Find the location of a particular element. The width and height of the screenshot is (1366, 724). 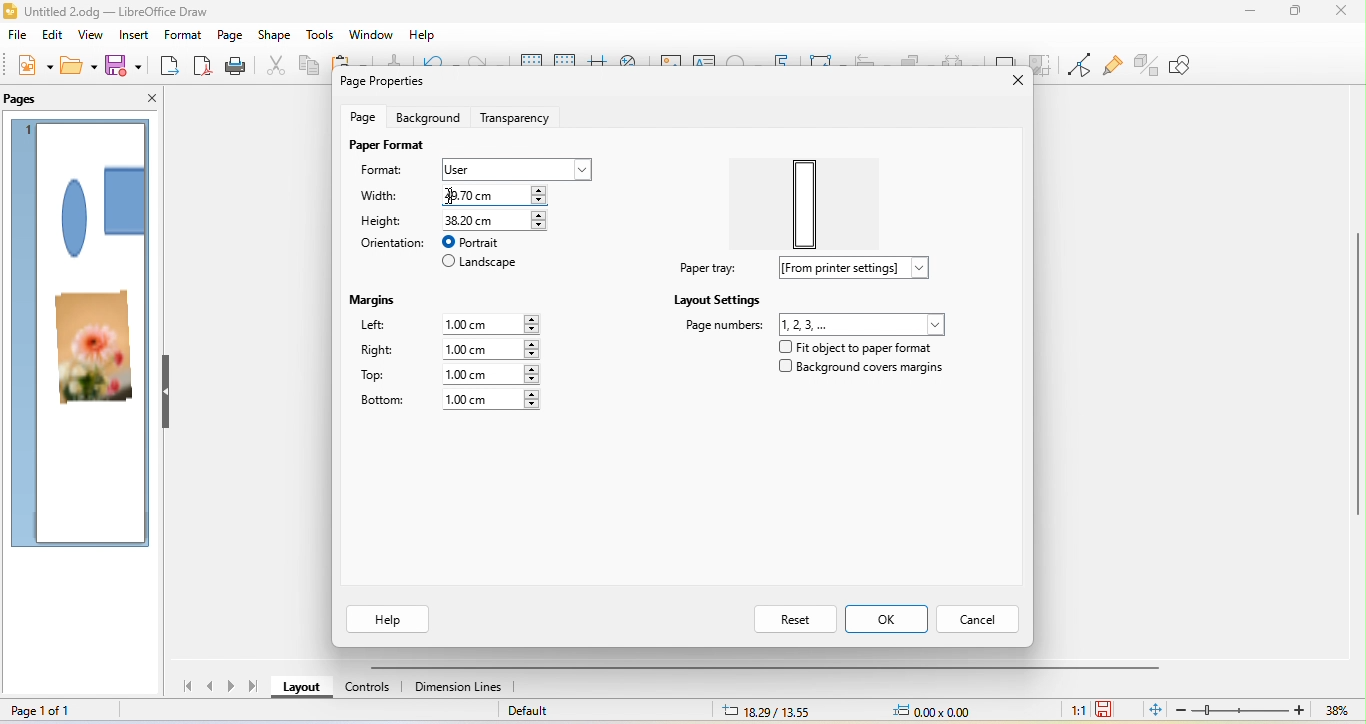

hide is located at coordinates (165, 393).